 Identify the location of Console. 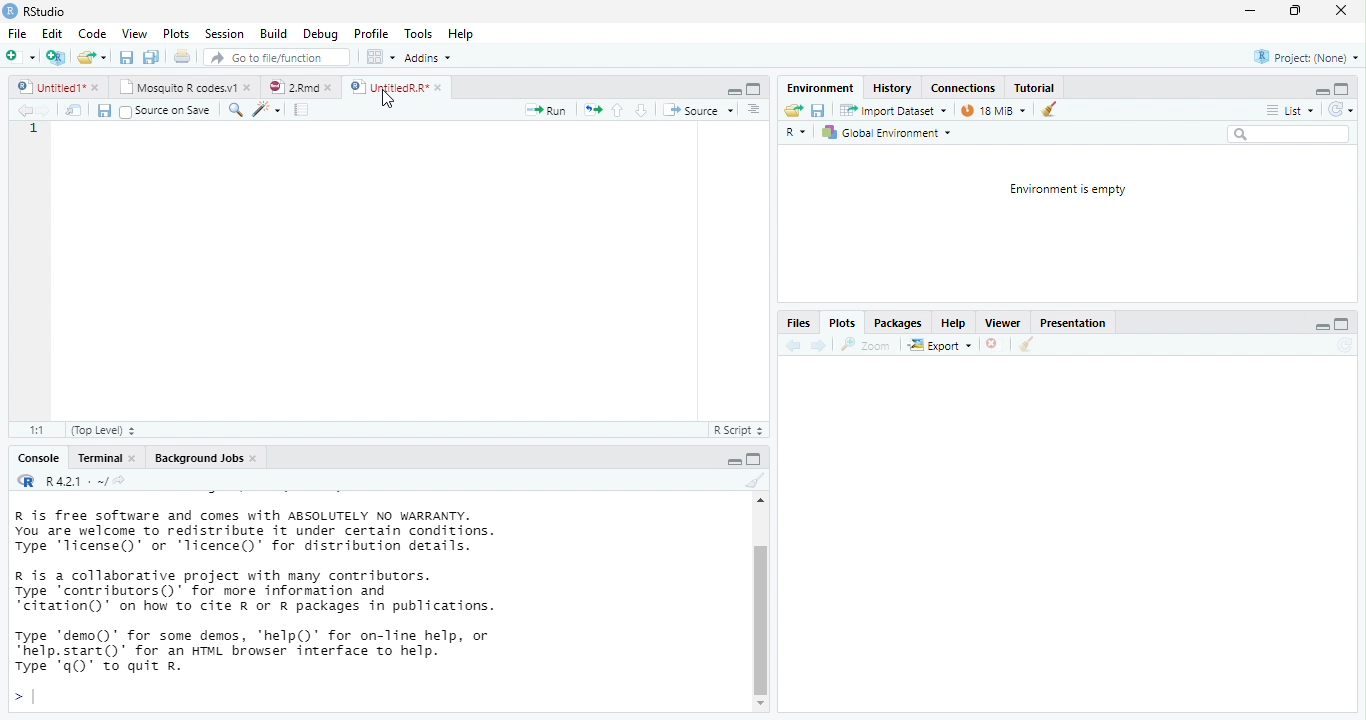
(37, 459).